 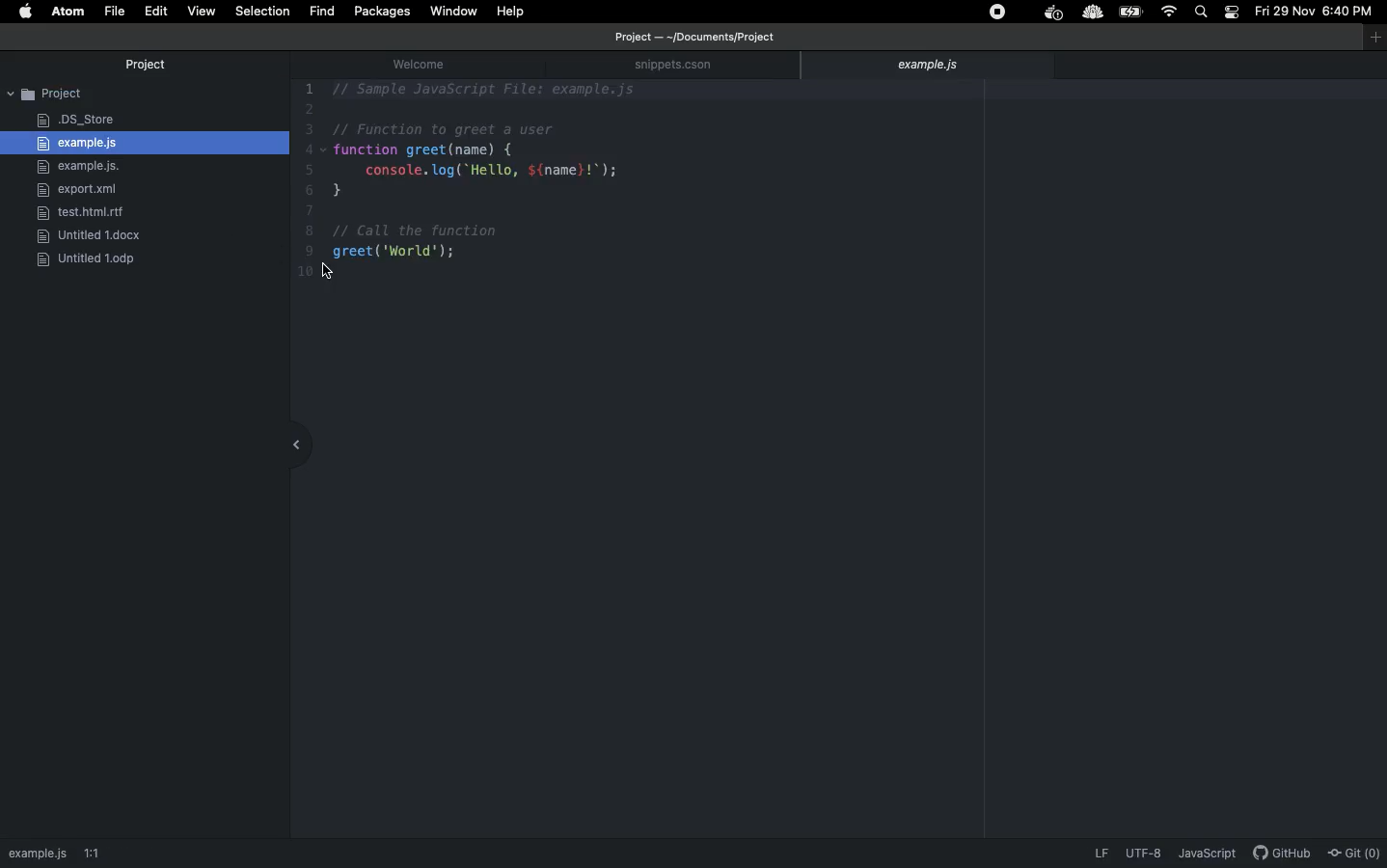 I want to click on Project, so click(x=146, y=65).